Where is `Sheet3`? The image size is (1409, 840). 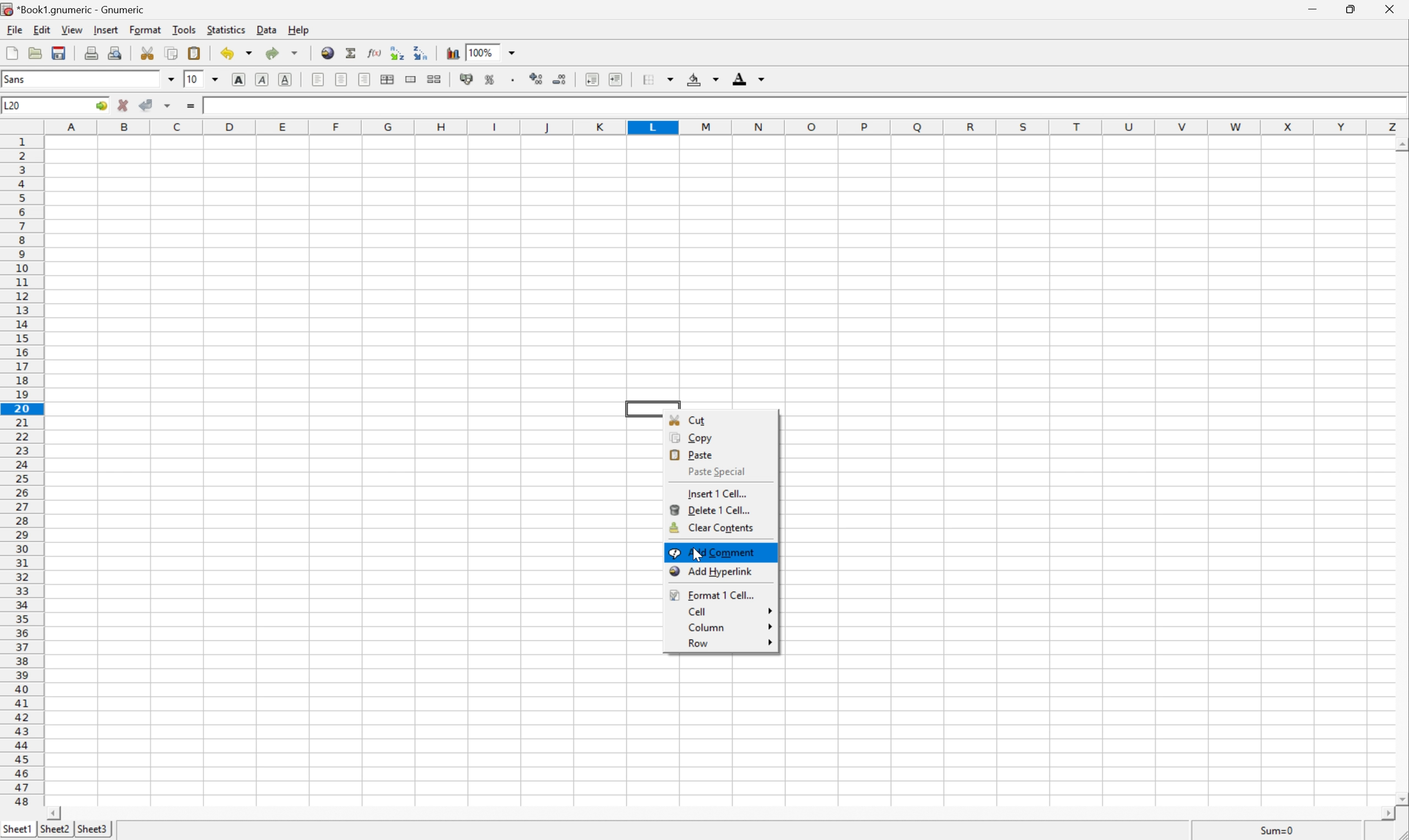 Sheet3 is located at coordinates (54, 829).